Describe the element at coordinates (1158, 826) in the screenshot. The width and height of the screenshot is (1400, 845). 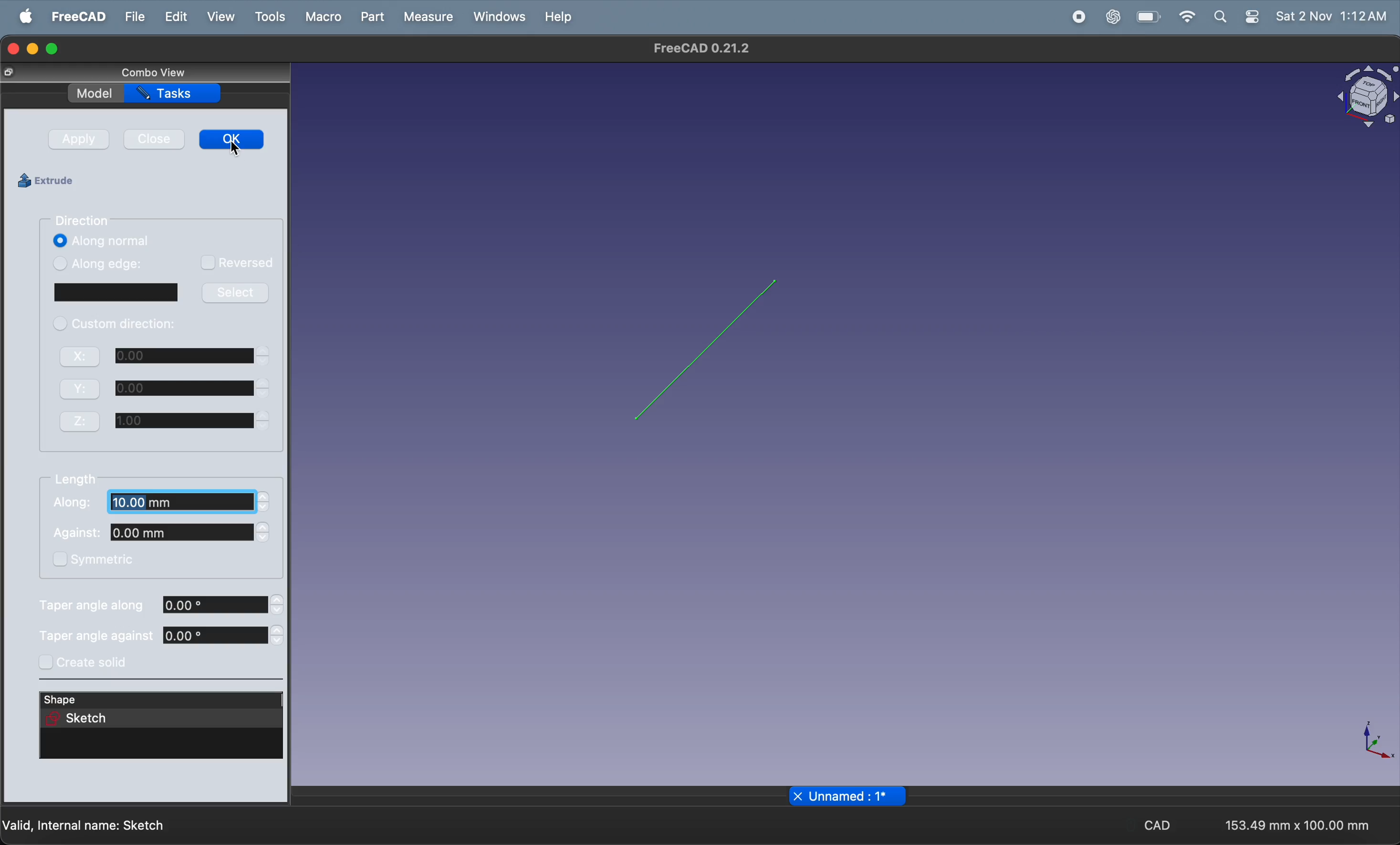
I see `CAD` at that location.